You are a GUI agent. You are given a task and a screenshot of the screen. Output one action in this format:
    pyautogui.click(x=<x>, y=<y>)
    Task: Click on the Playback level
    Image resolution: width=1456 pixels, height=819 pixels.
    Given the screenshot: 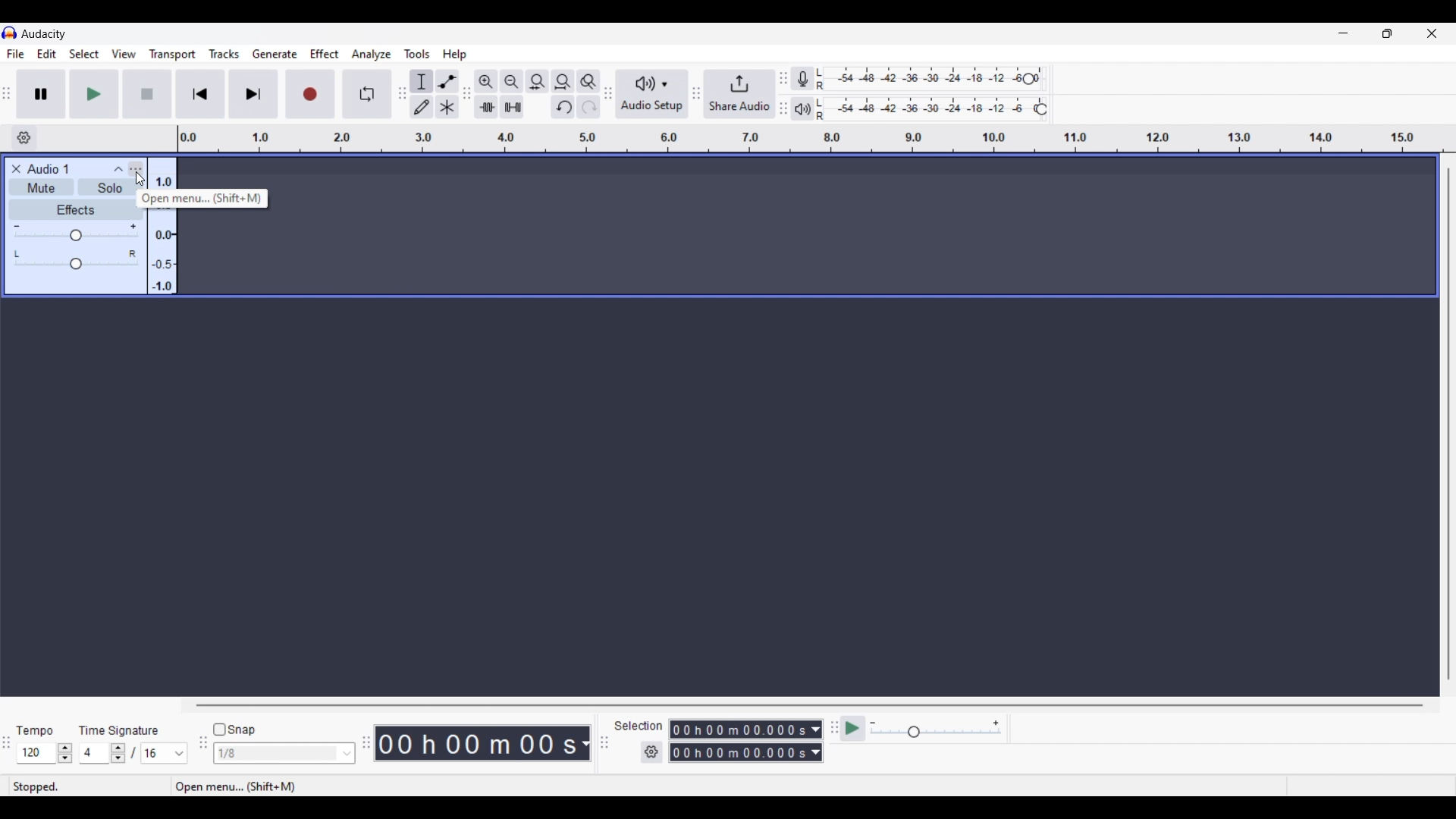 What is the action you would take?
    pyautogui.click(x=934, y=109)
    